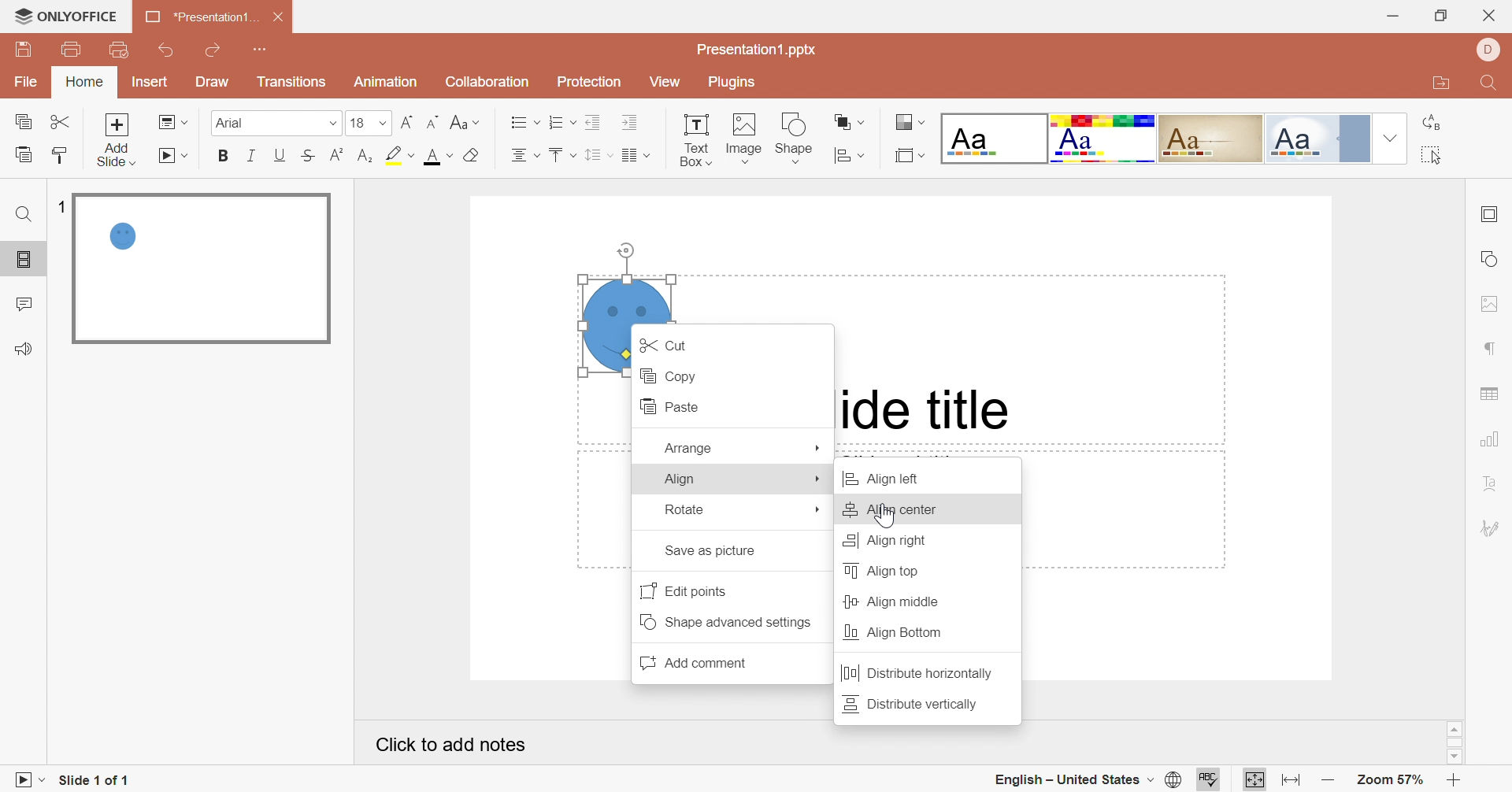 The height and width of the screenshot is (792, 1512). I want to click on Replace, so click(1434, 123).